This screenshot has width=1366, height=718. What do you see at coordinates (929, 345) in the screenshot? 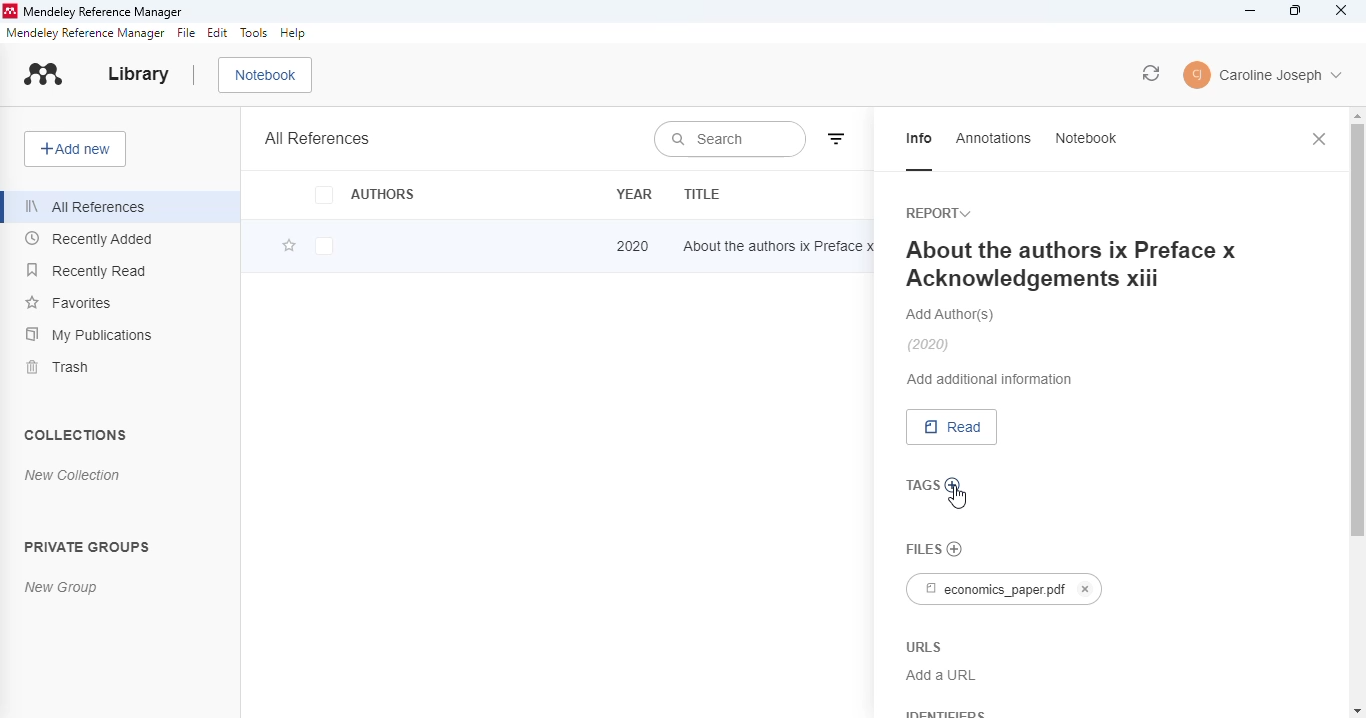
I see `(2020)` at bounding box center [929, 345].